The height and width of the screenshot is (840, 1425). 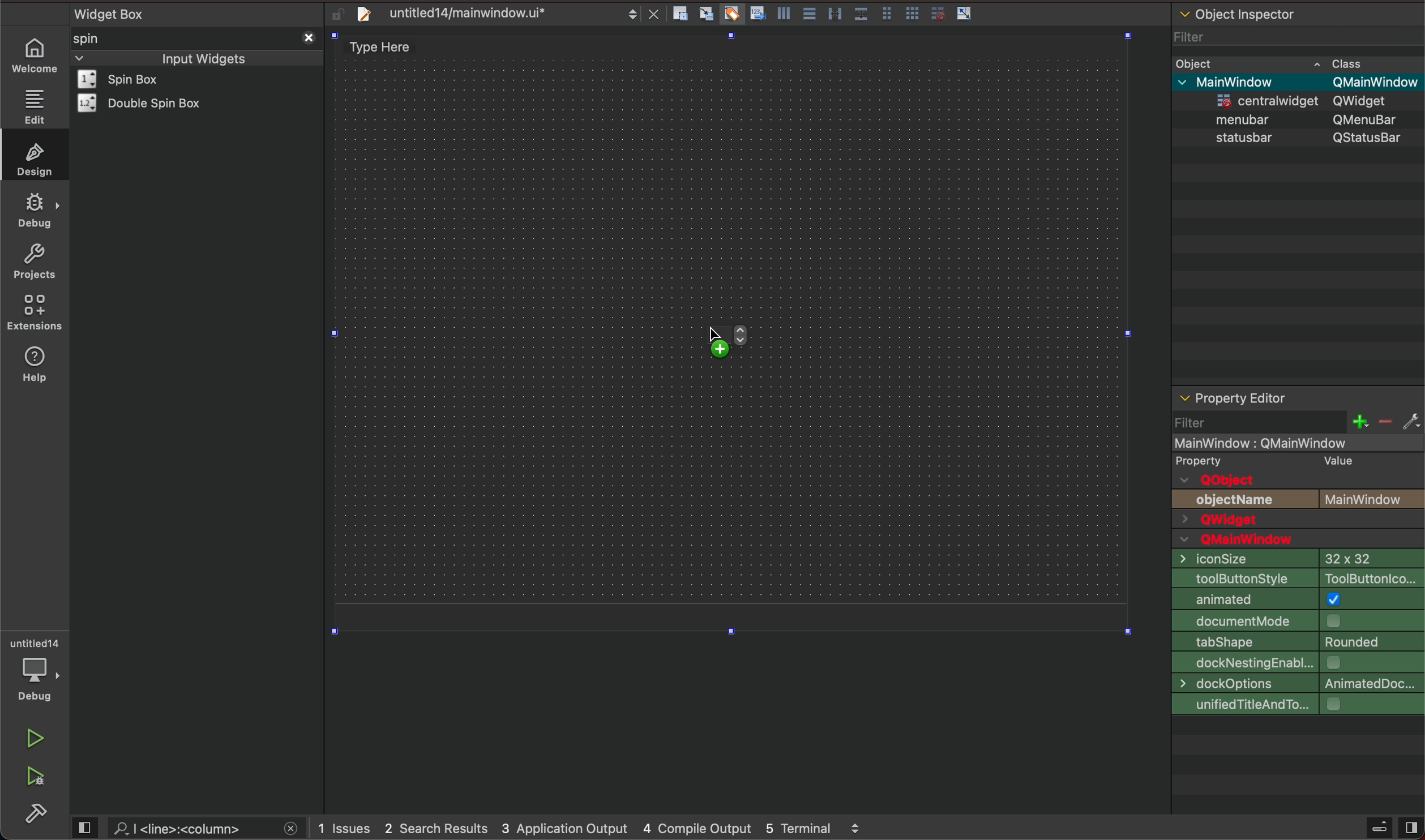 I want to click on , so click(x=1368, y=119).